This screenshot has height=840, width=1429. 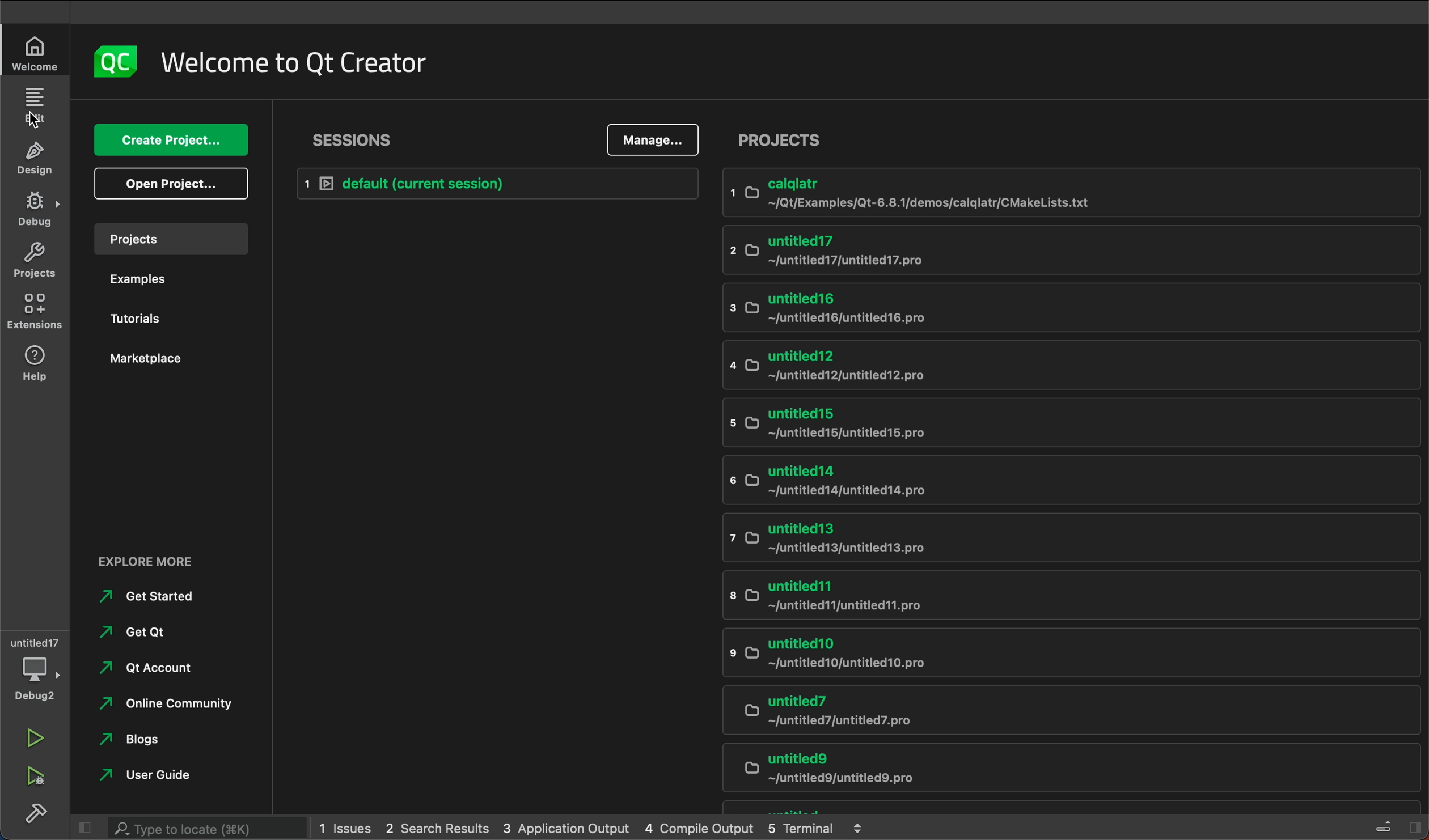 What do you see at coordinates (37, 740) in the screenshot?
I see `run ` at bounding box center [37, 740].